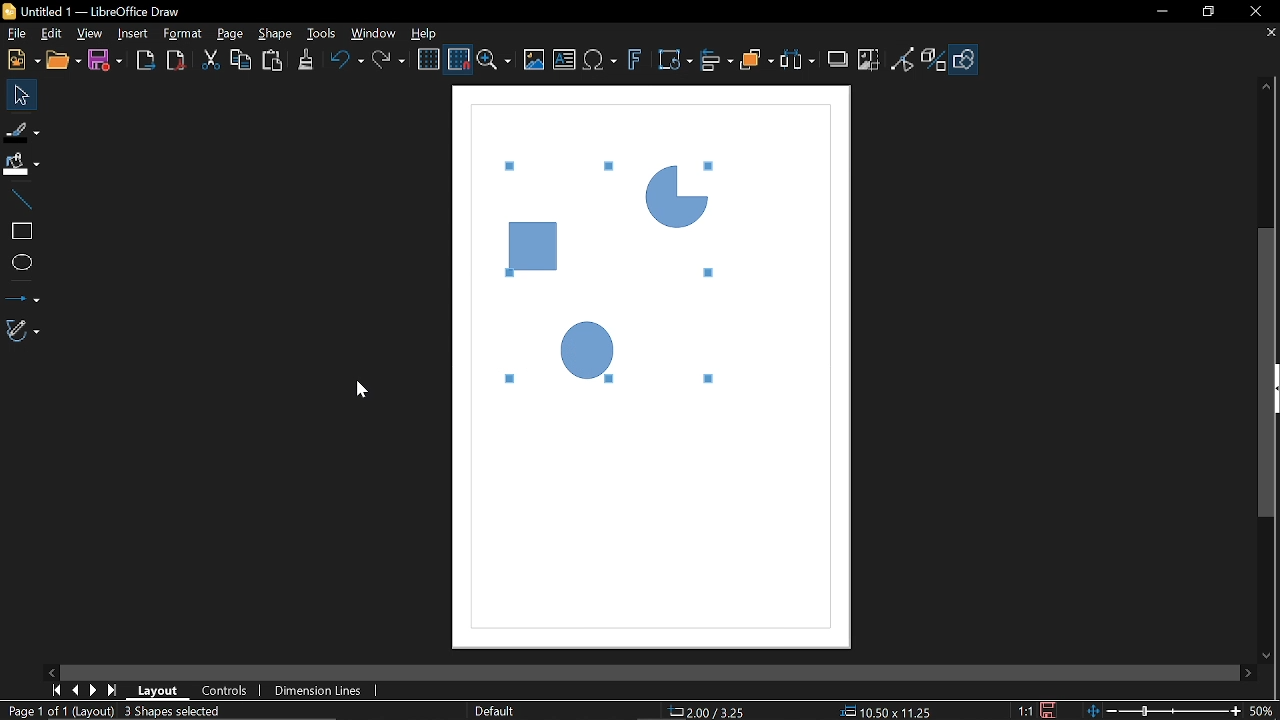  Describe the element at coordinates (610, 279) in the screenshot. I see `Objects ungroupes` at that location.